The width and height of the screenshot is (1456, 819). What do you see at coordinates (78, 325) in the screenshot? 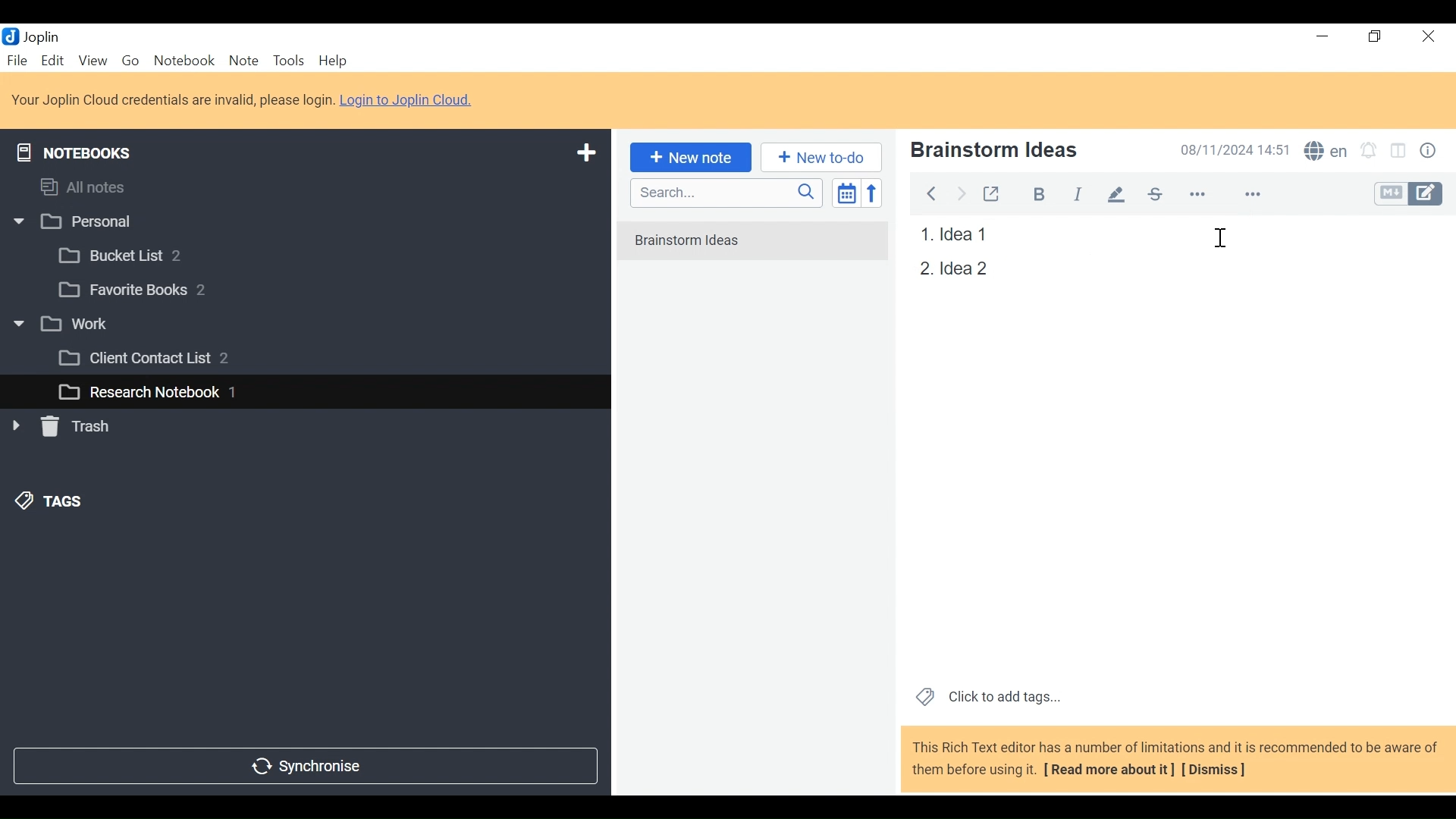
I see `v [3 work` at bounding box center [78, 325].